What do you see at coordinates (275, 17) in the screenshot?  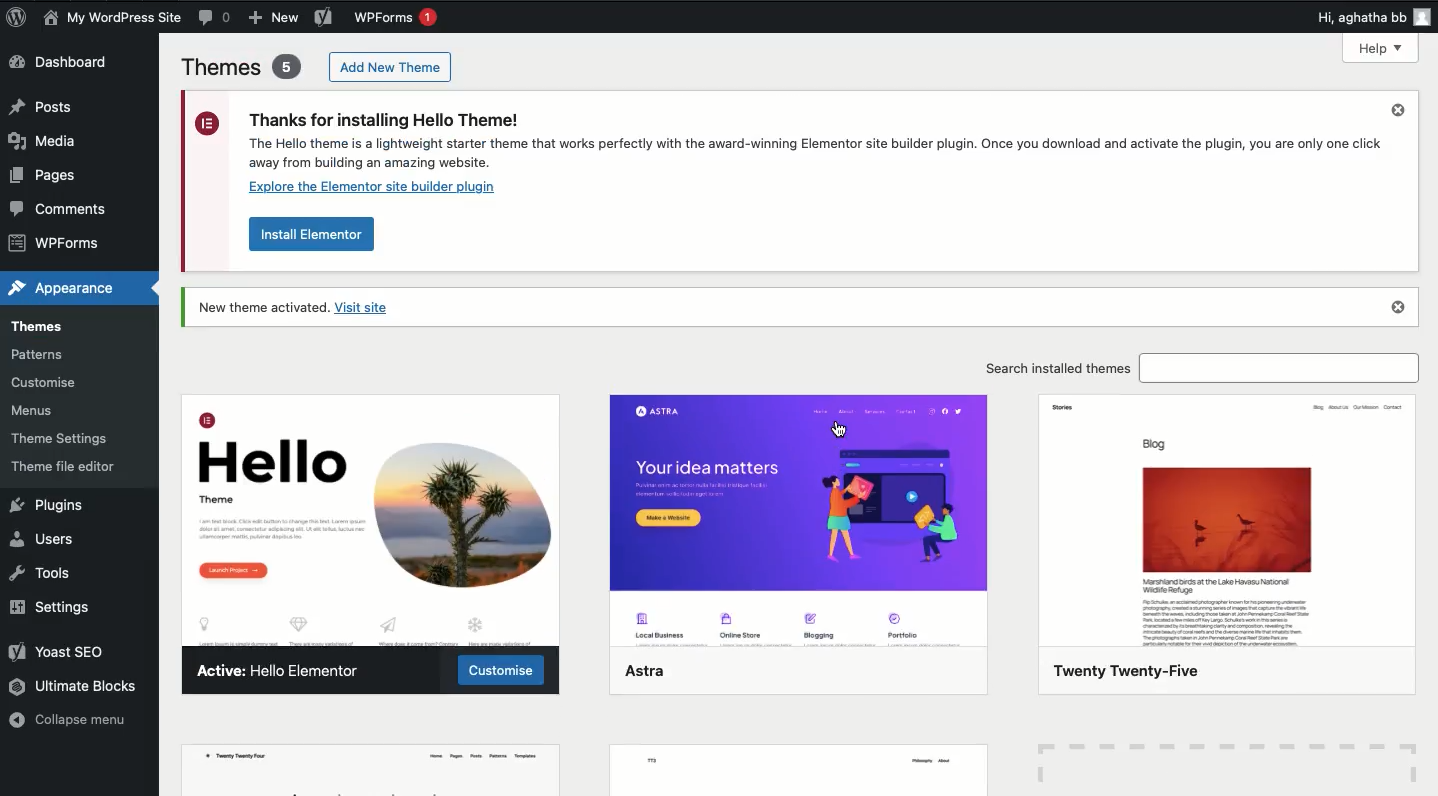 I see `New` at bounding box center [275, 17].